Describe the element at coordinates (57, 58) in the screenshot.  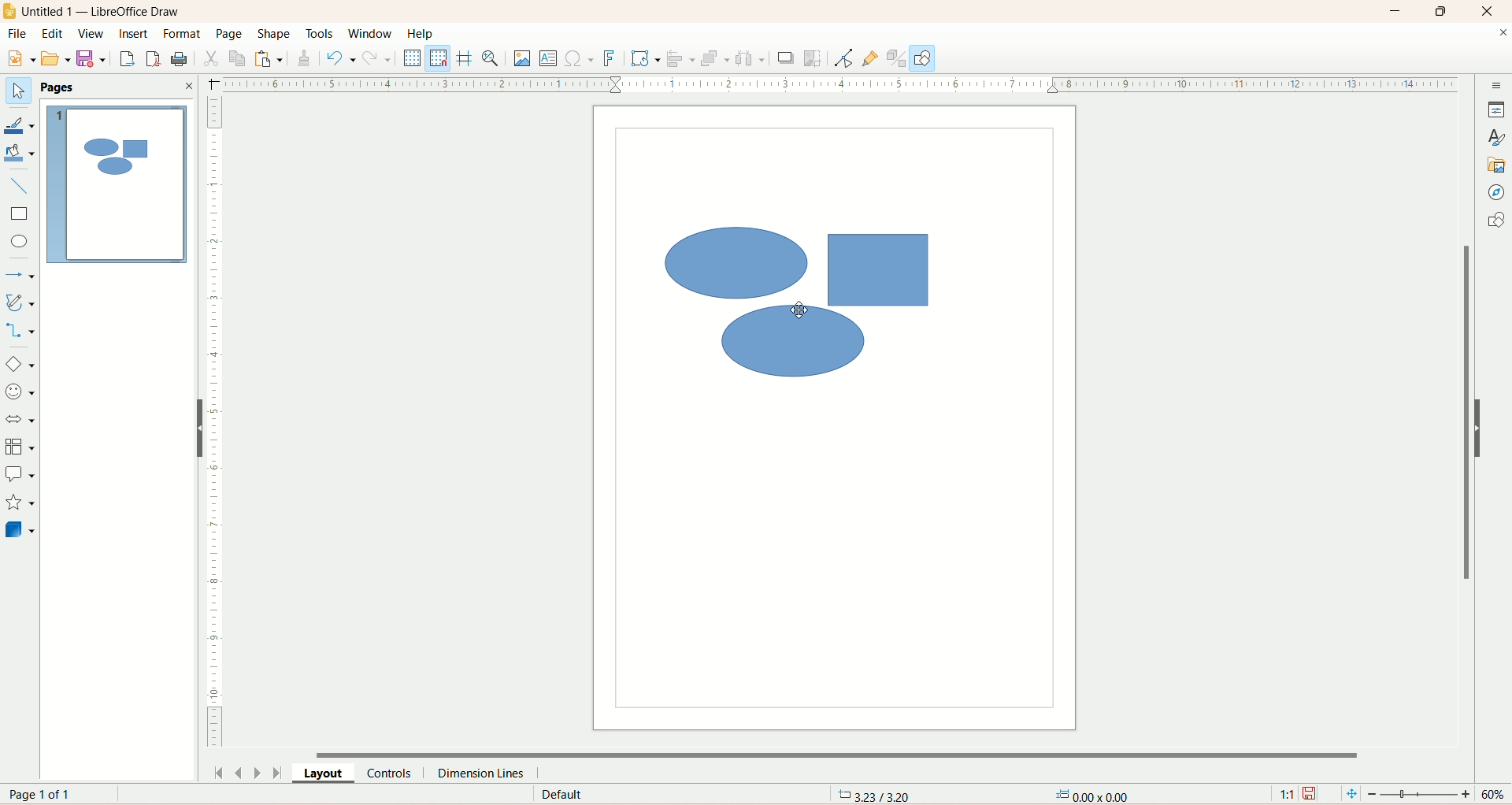
I see `open` at that location.